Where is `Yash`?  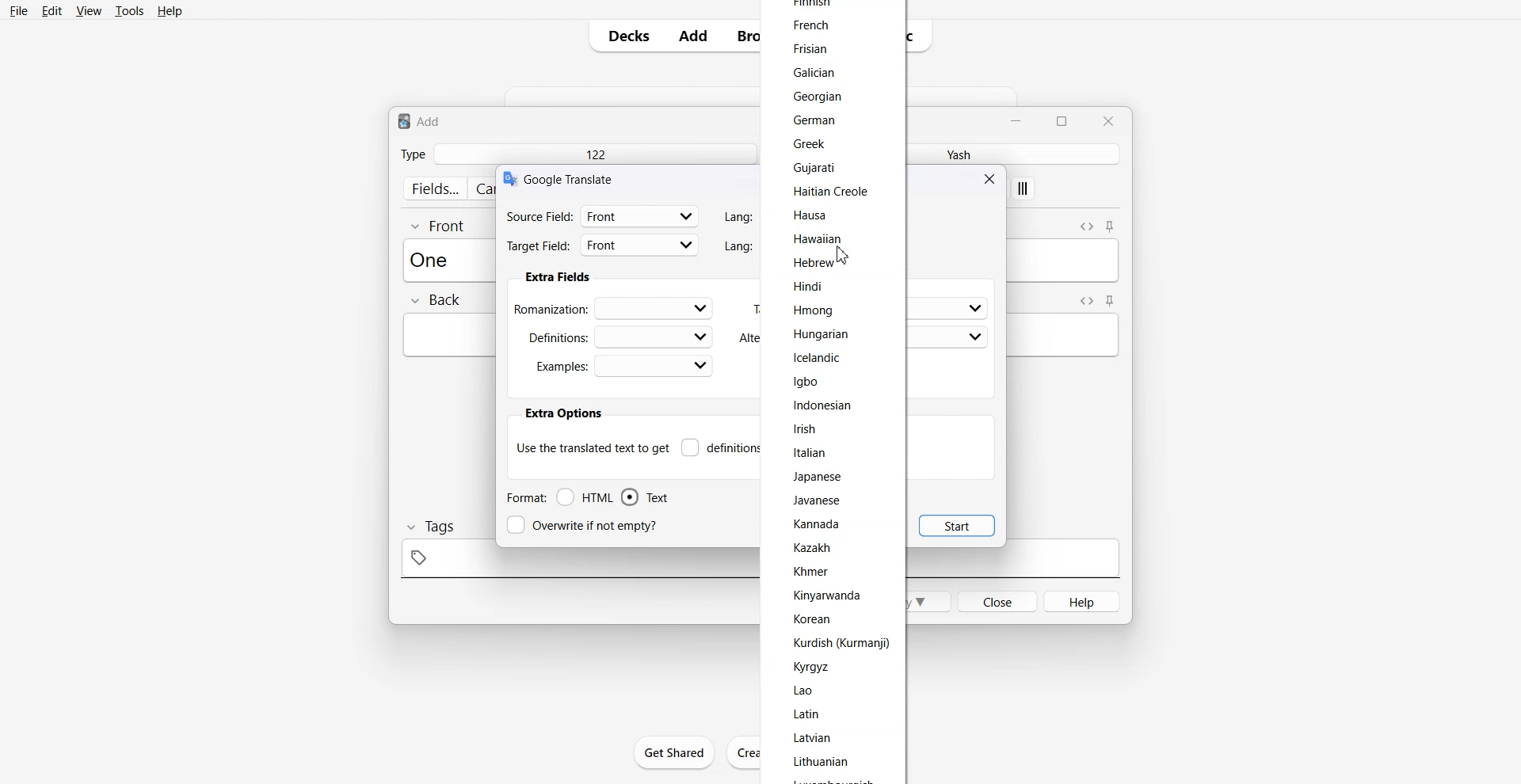 Yash is located at coordinates (955, 154).